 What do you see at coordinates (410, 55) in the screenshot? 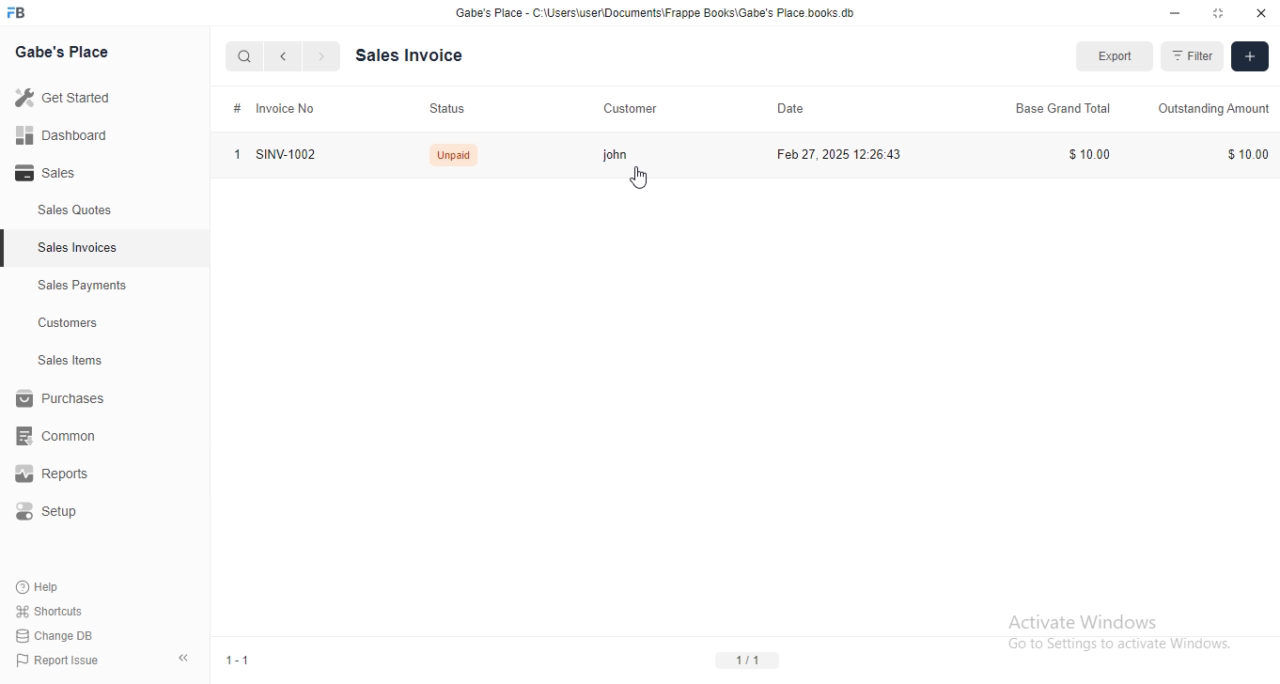
I see `sales invoice` at bounding box center [410, 55].